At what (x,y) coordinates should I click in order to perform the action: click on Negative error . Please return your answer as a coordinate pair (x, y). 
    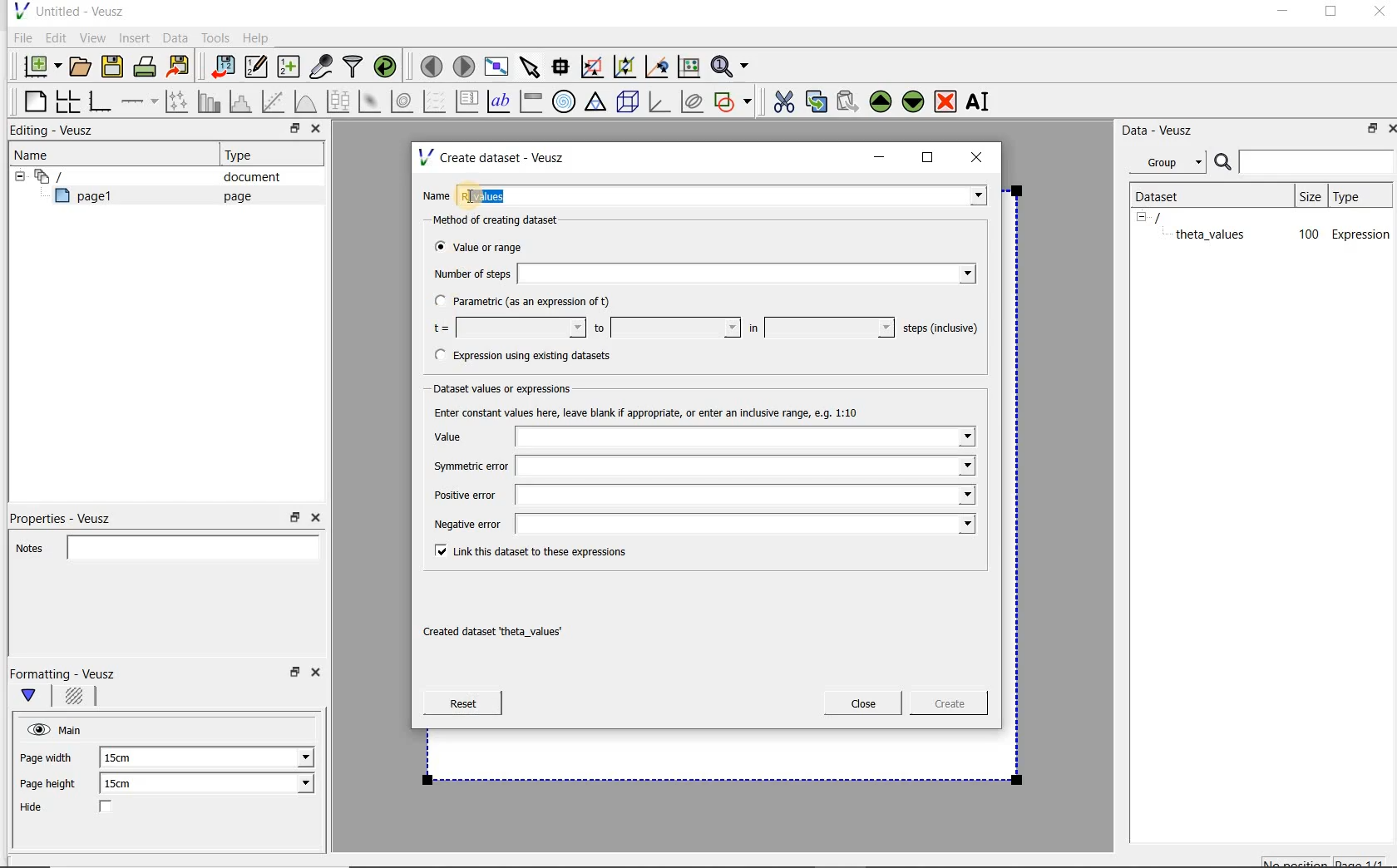
    Looking at the image, I should click on (700, 525).